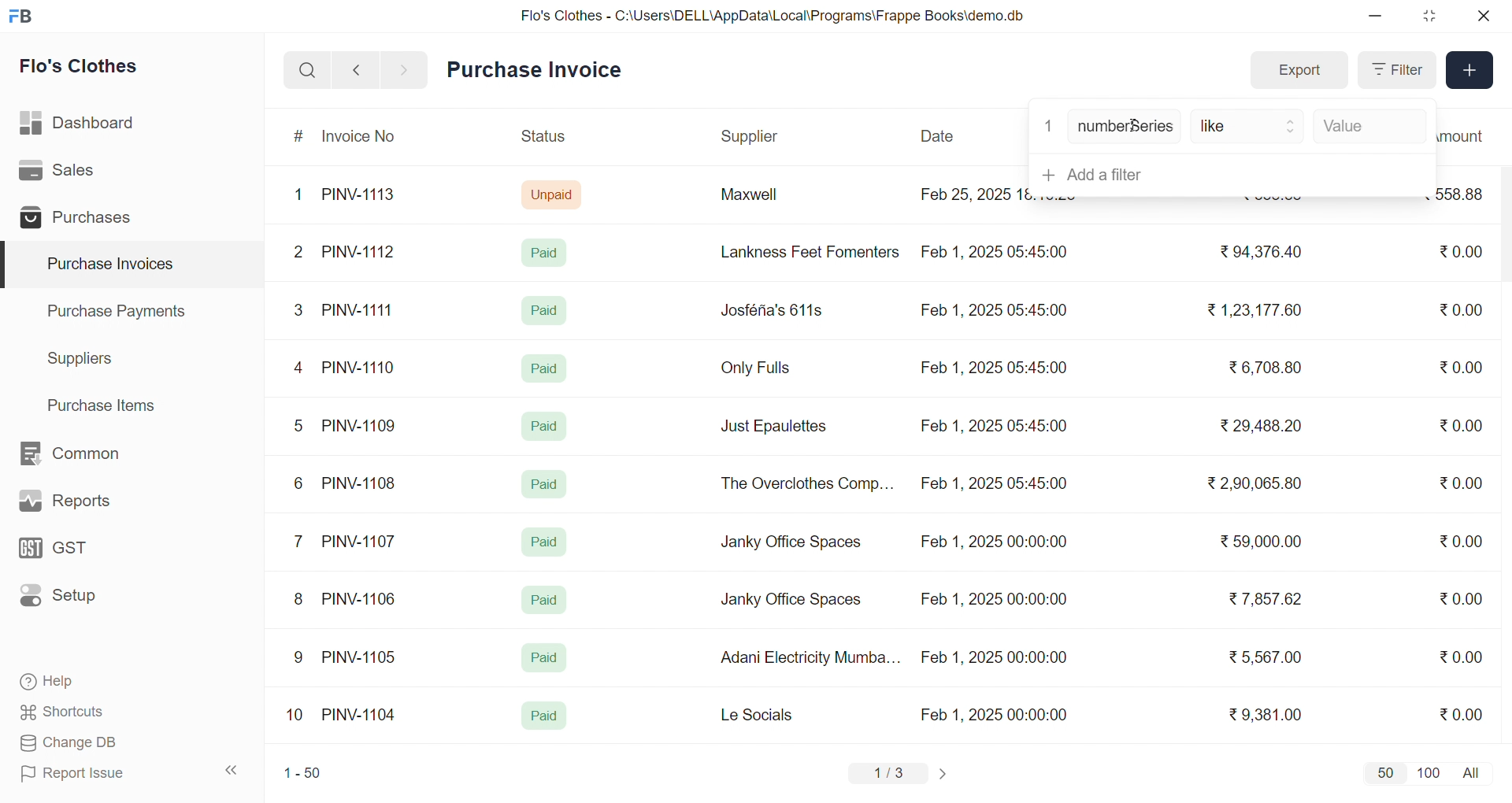 This screenshot has width=1512, height=803. I want to click on Paid, so click(545, 600).